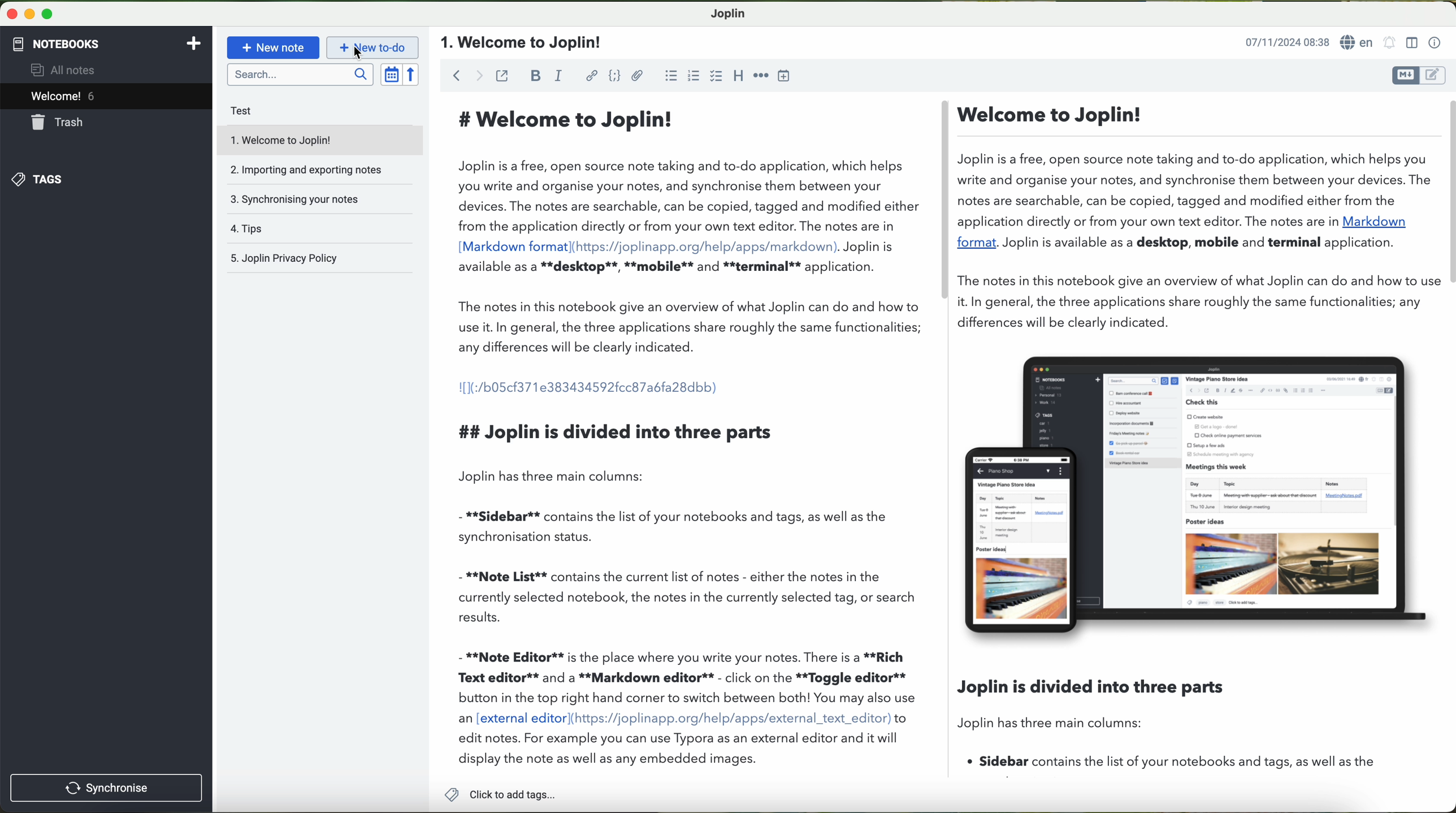 Image resolution: width=1456 pixels, height=813 pixels. I want to click on reverse sort order, so click(412, 73).